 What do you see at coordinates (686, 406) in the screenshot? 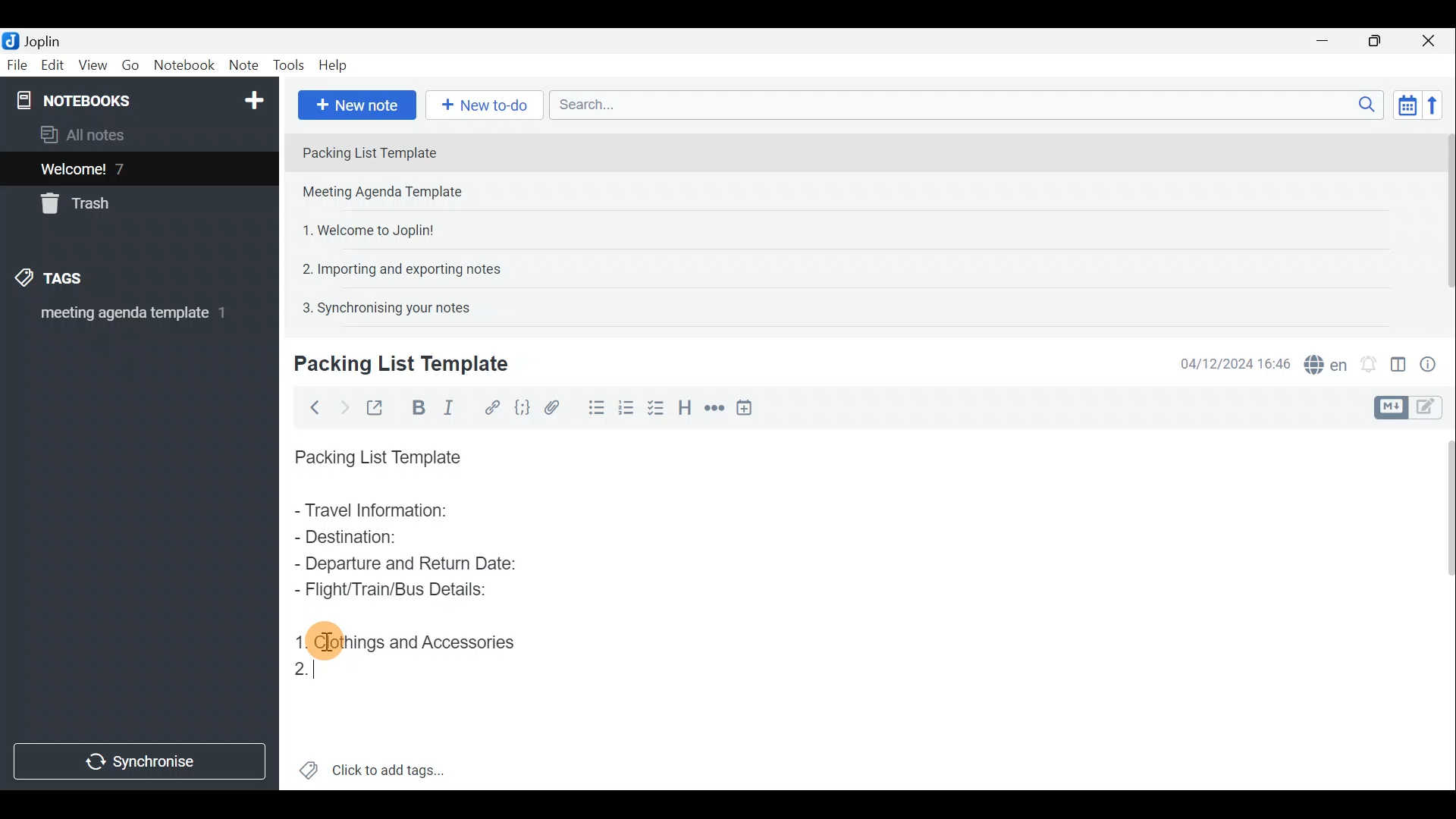
I see `Heading` at bounding box center [686, 406].